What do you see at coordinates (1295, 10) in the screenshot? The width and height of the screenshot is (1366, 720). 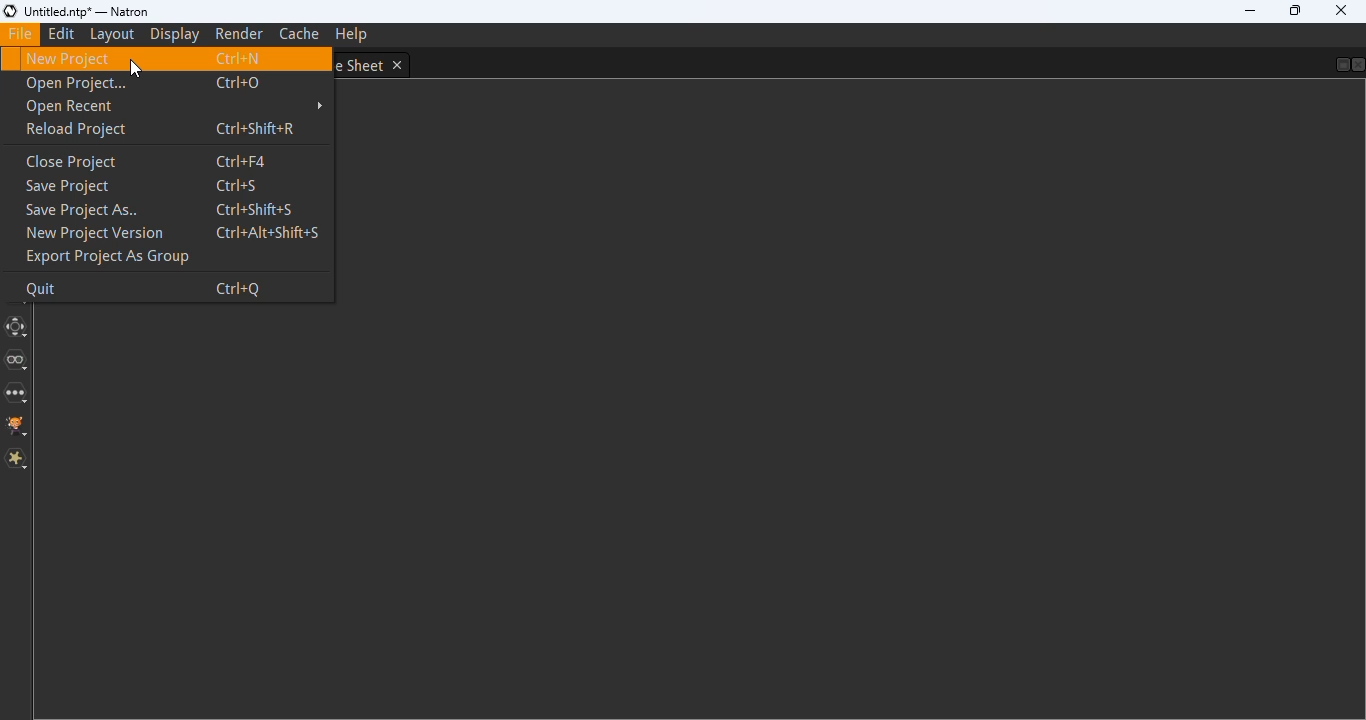 I see `maximize` at bounding box center [1295, 10].